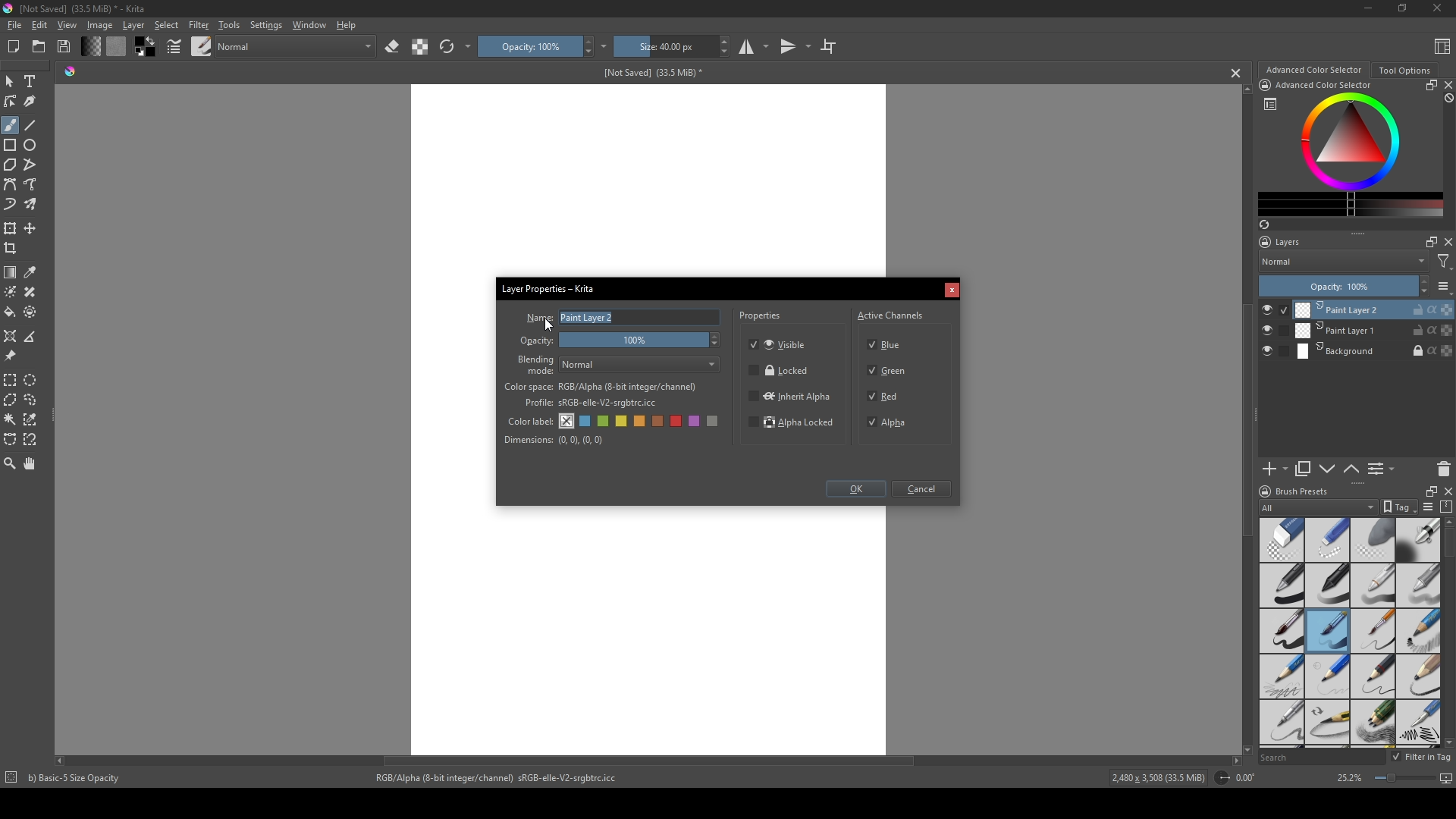 The height and width of the screenshot is (819, 1456). What do you see at coordinates (1313, 70) in the screenshot?
I see `Advanced color selector` at bounding box center [1313, 70].